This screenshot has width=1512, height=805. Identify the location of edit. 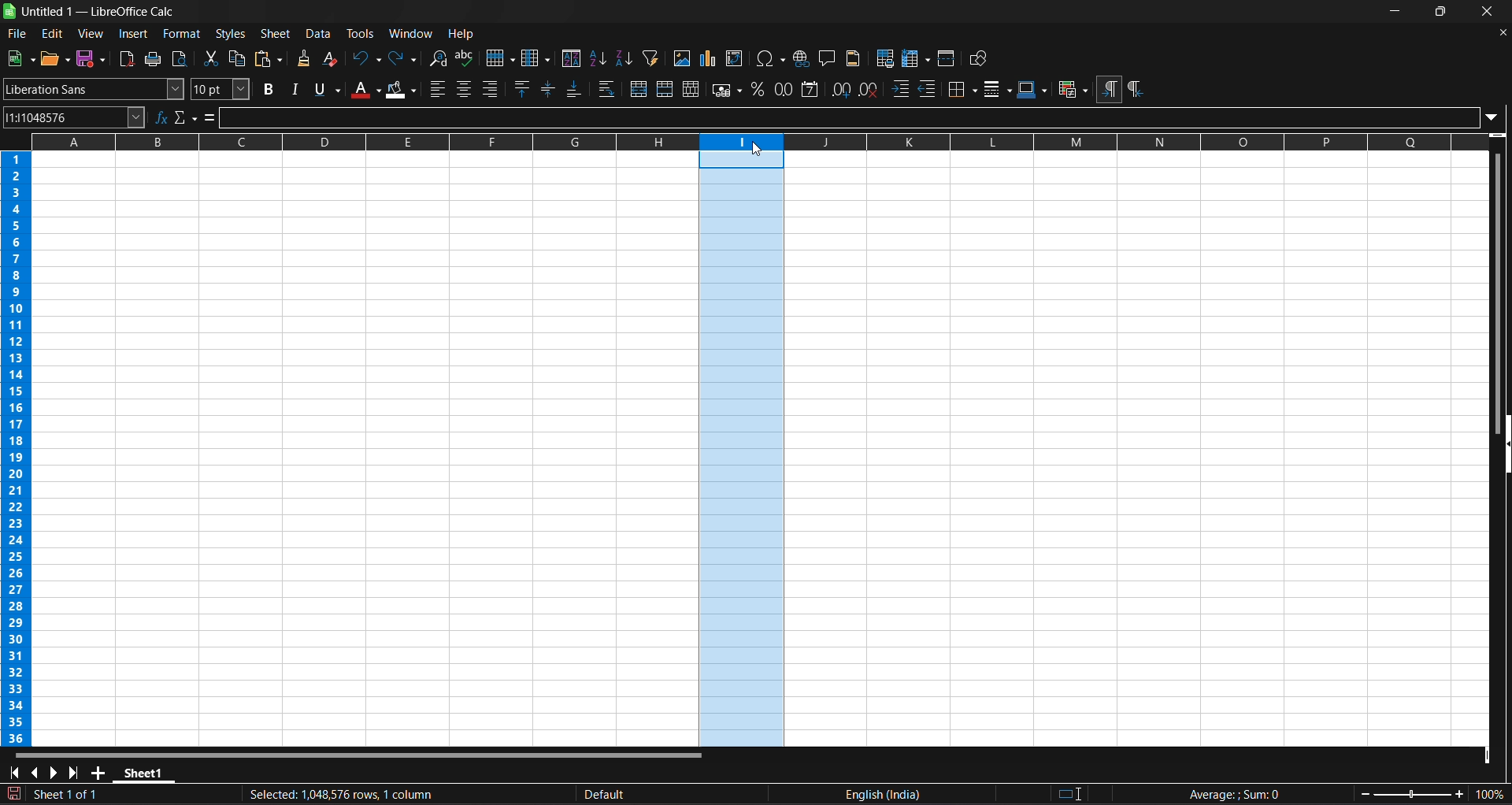
(51, 32).